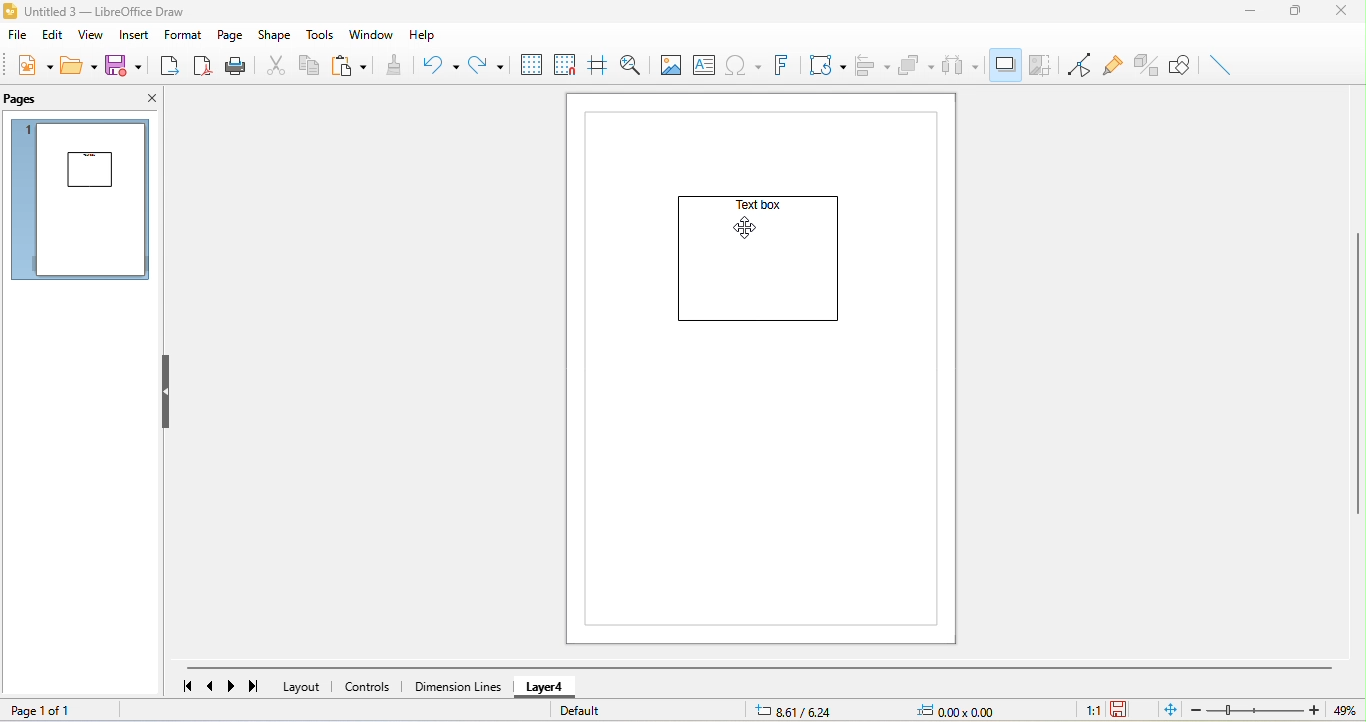 The width and height of the screenshot is (1366, 722). I want to click on special character, so click(745, 65).